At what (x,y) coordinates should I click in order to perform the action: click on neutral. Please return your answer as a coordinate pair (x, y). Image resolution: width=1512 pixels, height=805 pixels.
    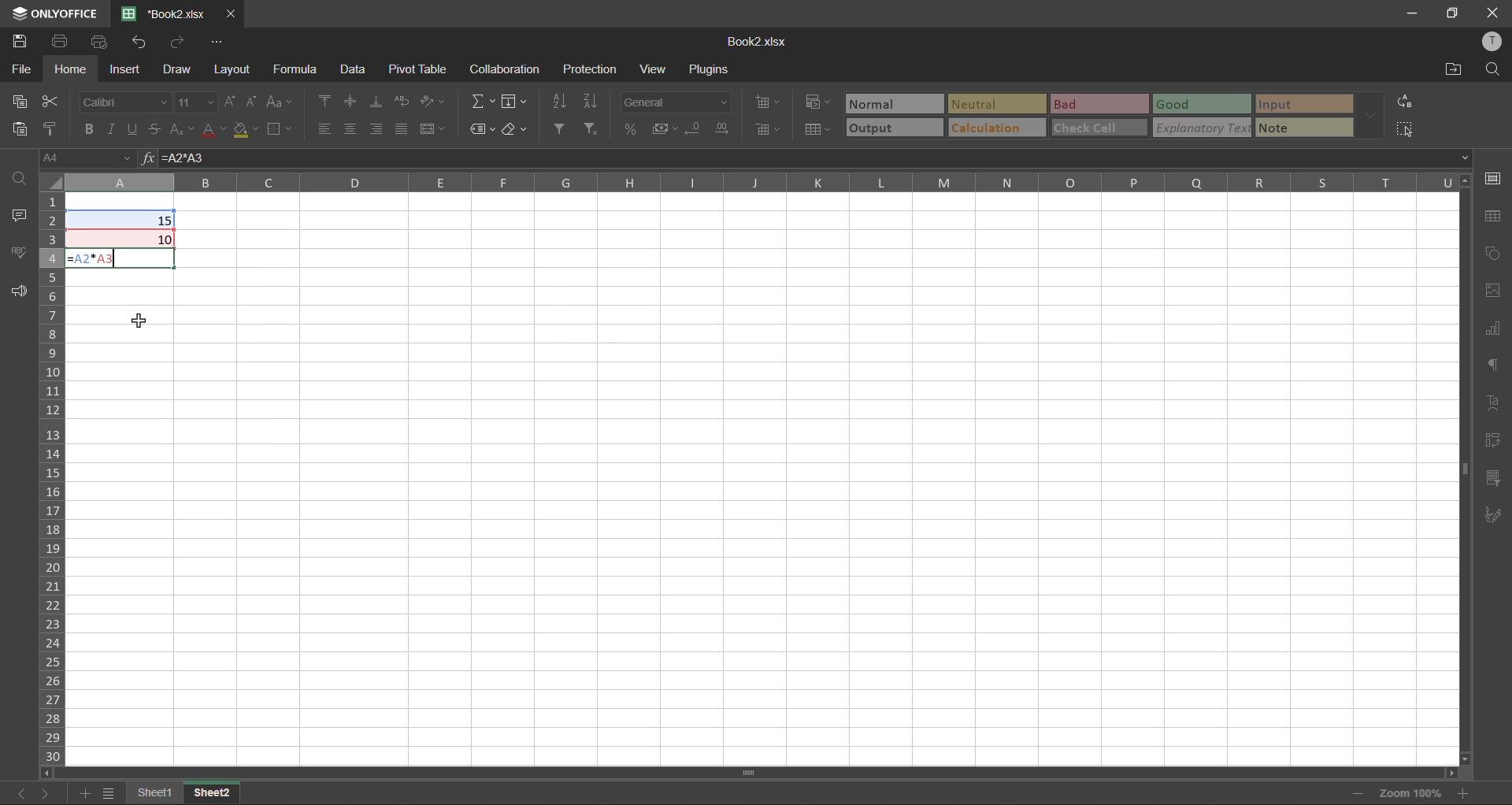
    Looking at the image, I should click on (999, 106).